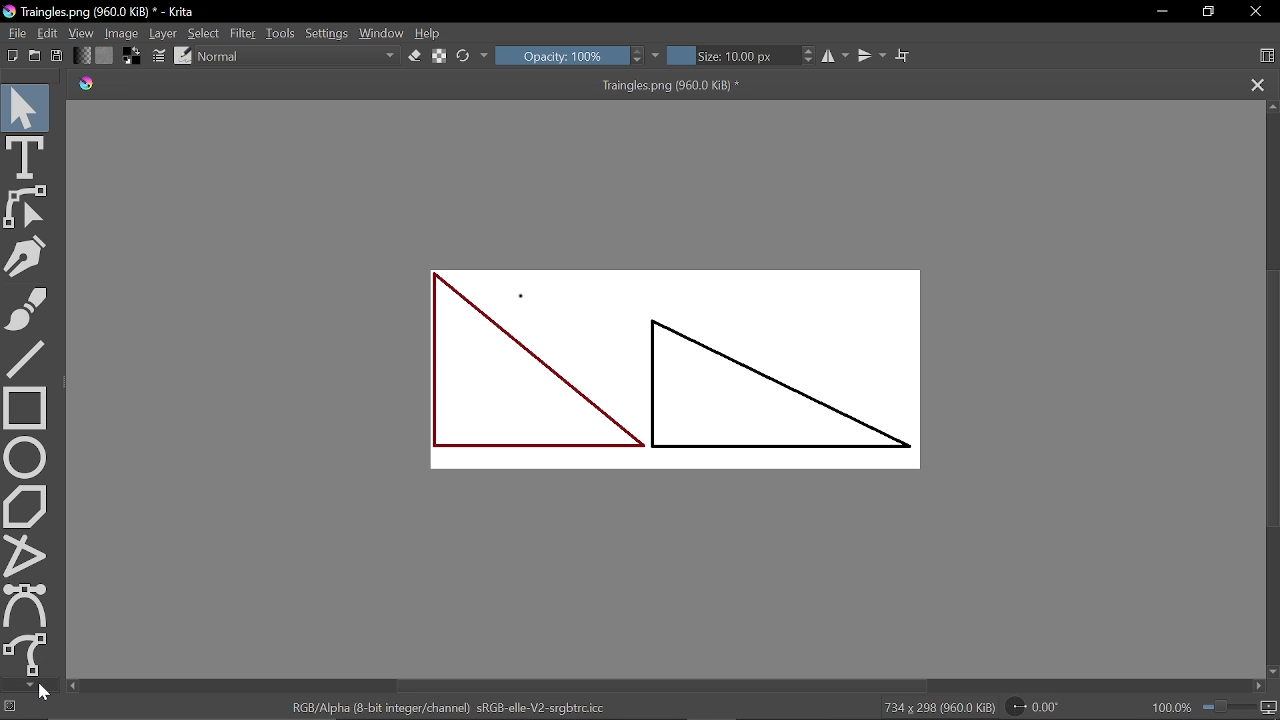  Describe the element at coordinates (157, 55) in the screenshot. I see `Edit brush settings` at that location.